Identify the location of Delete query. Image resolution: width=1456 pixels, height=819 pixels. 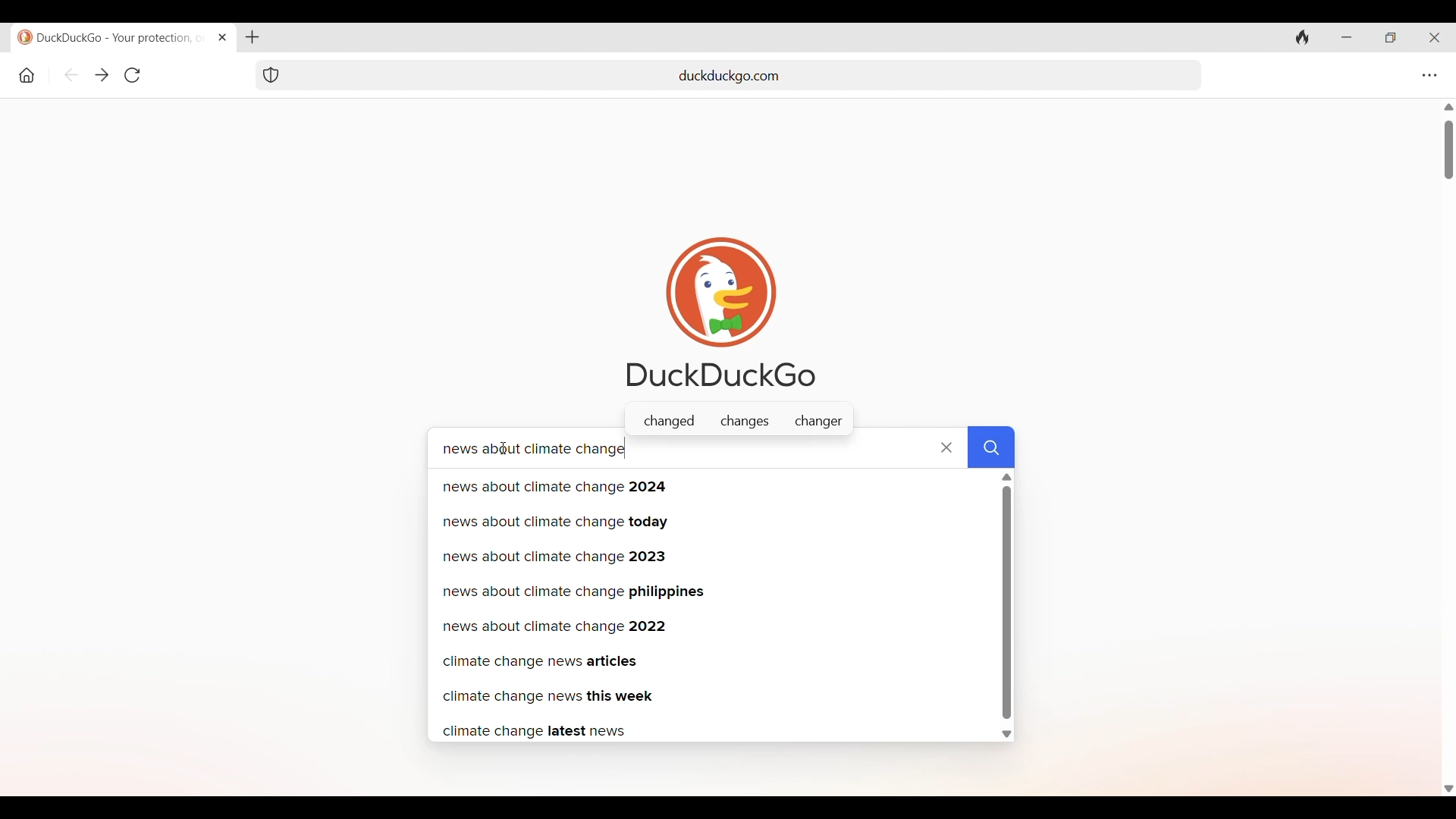
(946, 447).